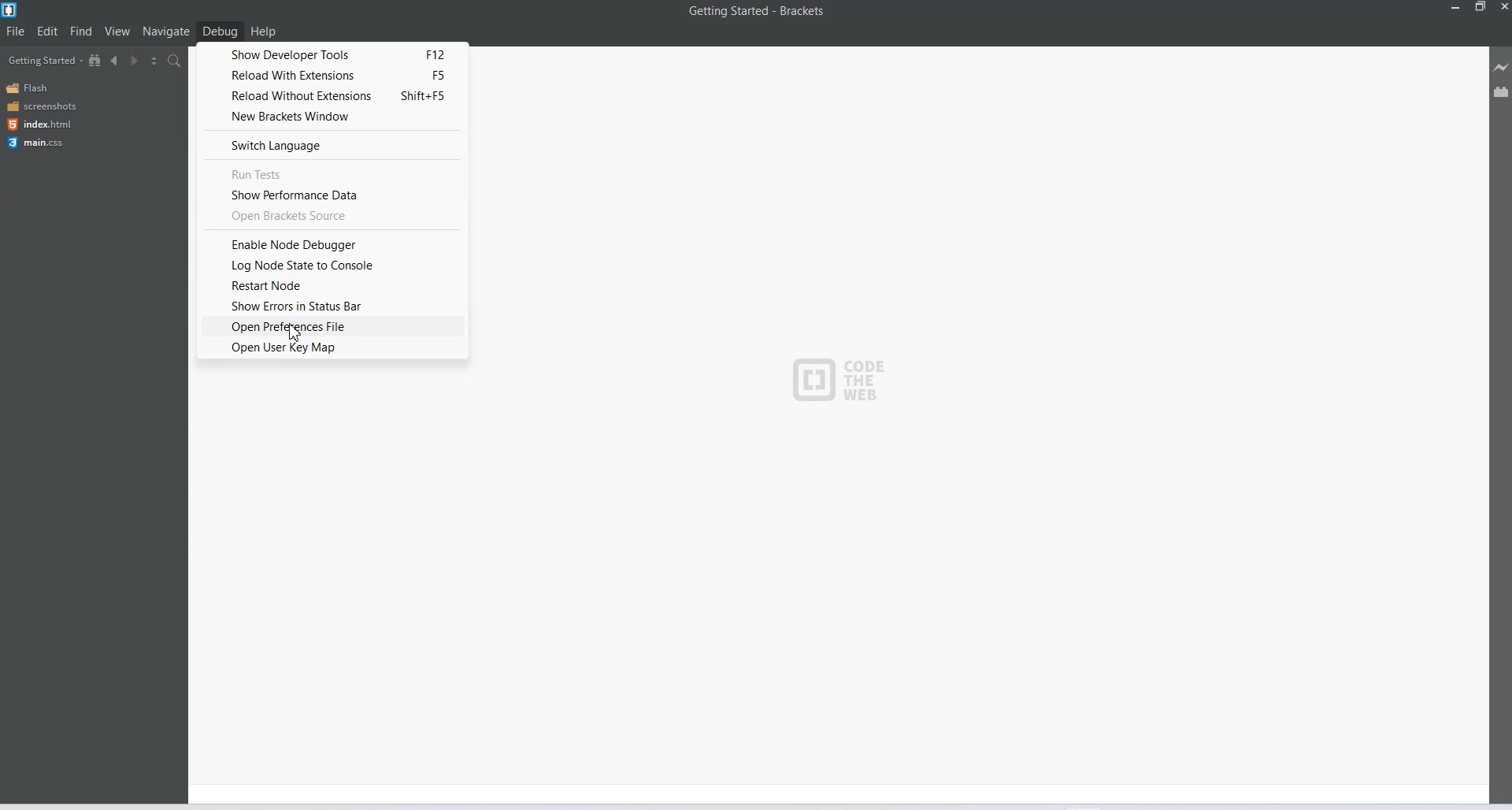 This screenshot has height=810, width=1512. What do you see at coordinates (35, 142) in the screenshot?
I see `main.css` at bounding box center [35, 142].